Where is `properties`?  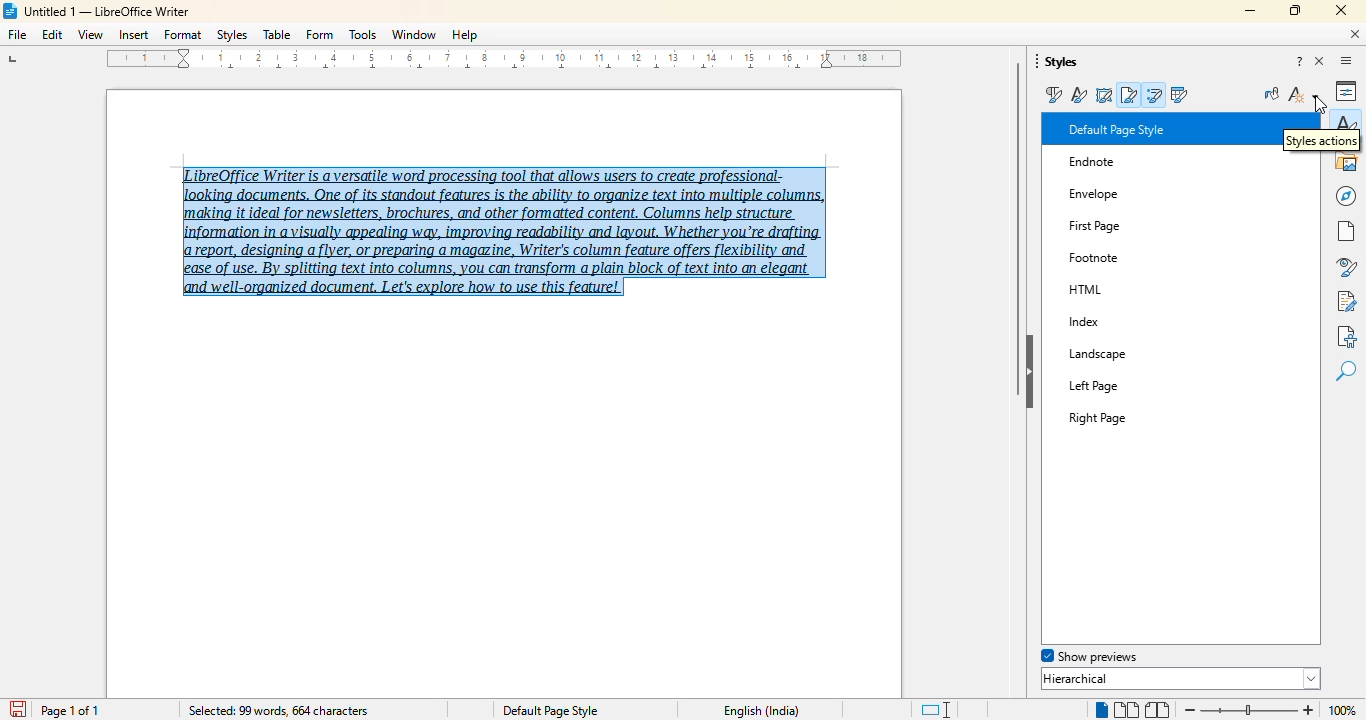
properties is located at coordinates (1348, 90).